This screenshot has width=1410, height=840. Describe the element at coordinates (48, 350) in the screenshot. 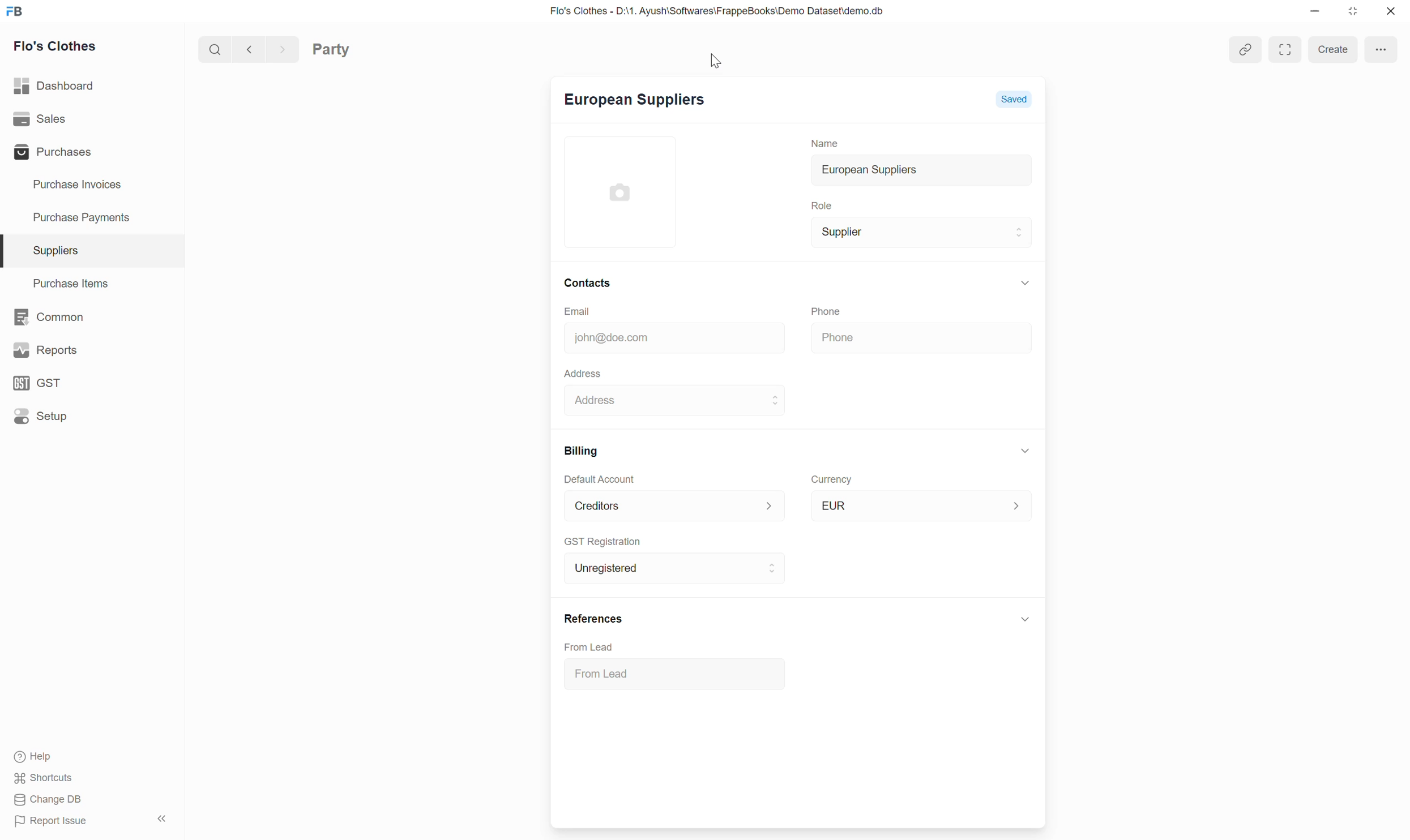

I see `reports` at that location.